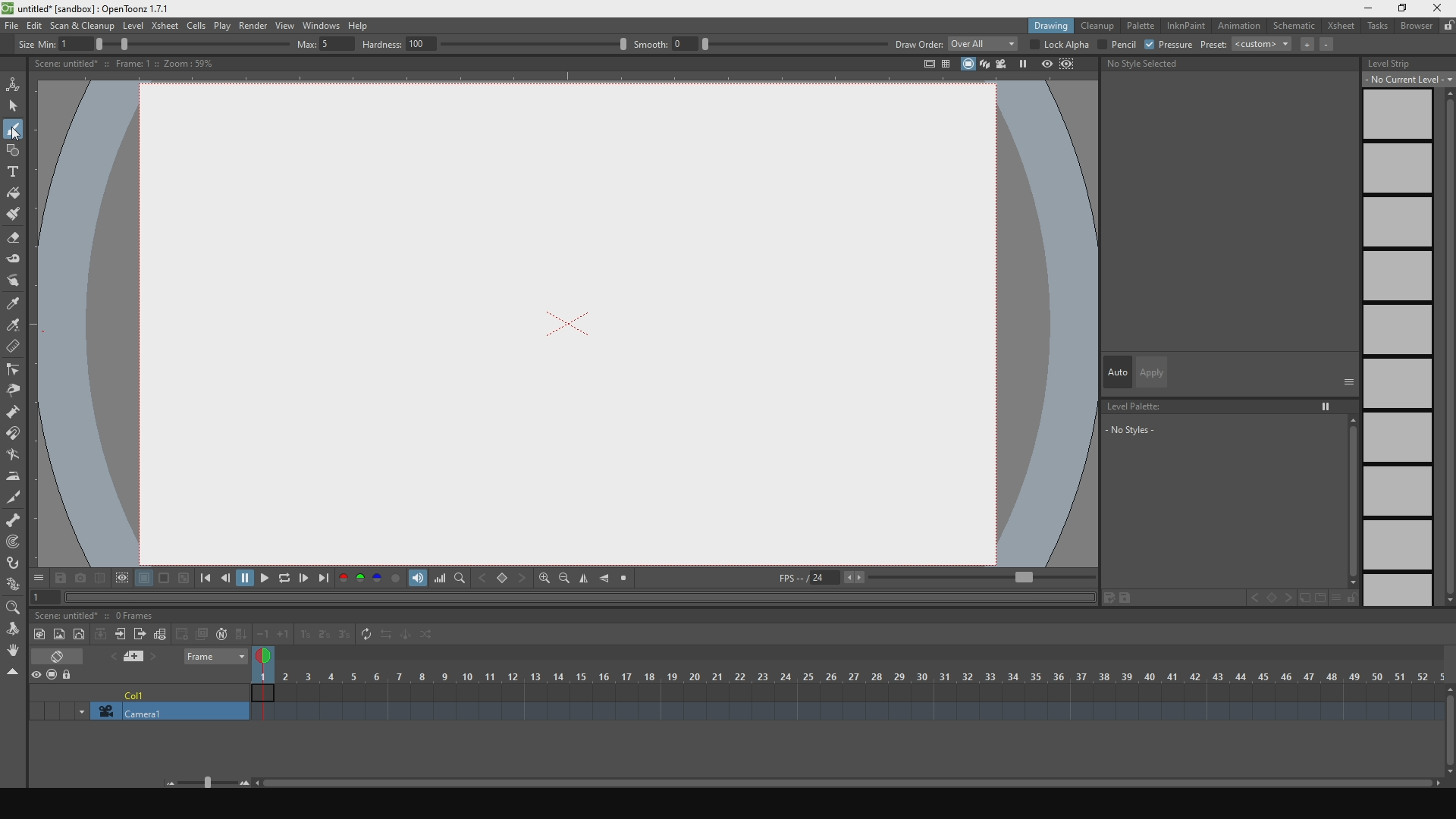  Describe the element at coordinates (74, 673) in the screenshot. I see `lock` at that location.